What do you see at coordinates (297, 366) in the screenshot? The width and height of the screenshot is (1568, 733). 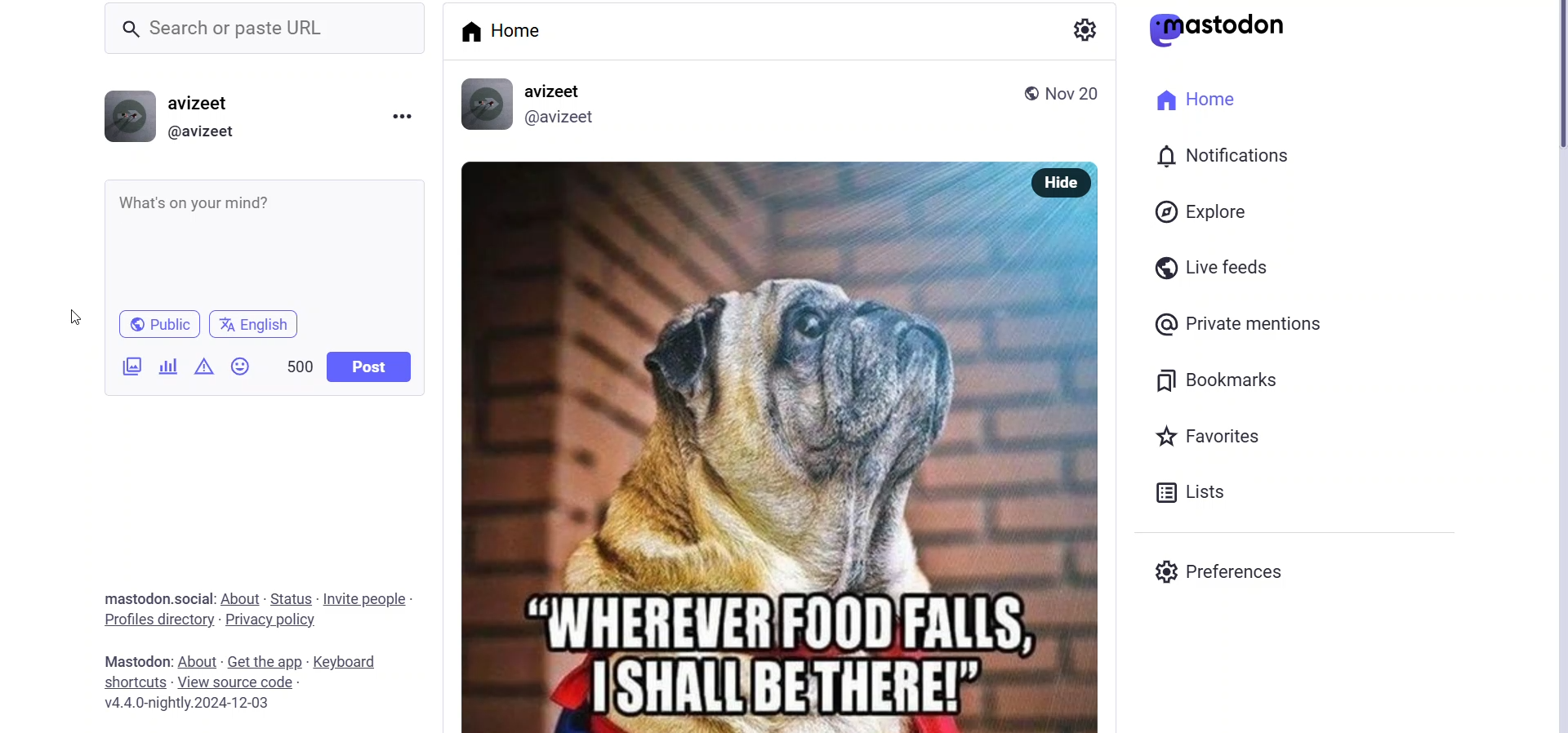 I see `word limit` at bounding box center [297, 366].